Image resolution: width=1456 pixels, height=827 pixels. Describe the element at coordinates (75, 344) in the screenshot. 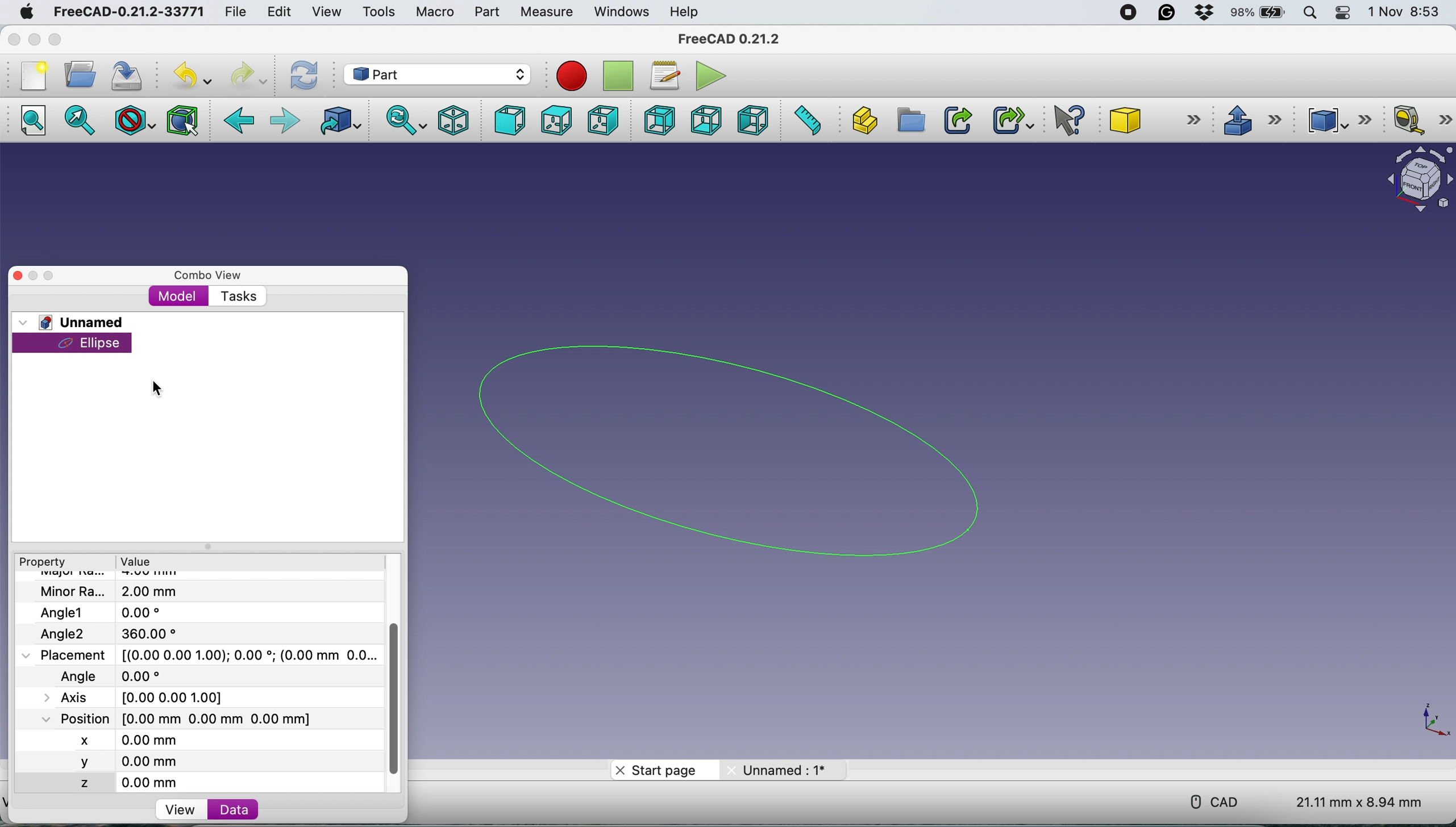

I see `ellipse selected` at that location.